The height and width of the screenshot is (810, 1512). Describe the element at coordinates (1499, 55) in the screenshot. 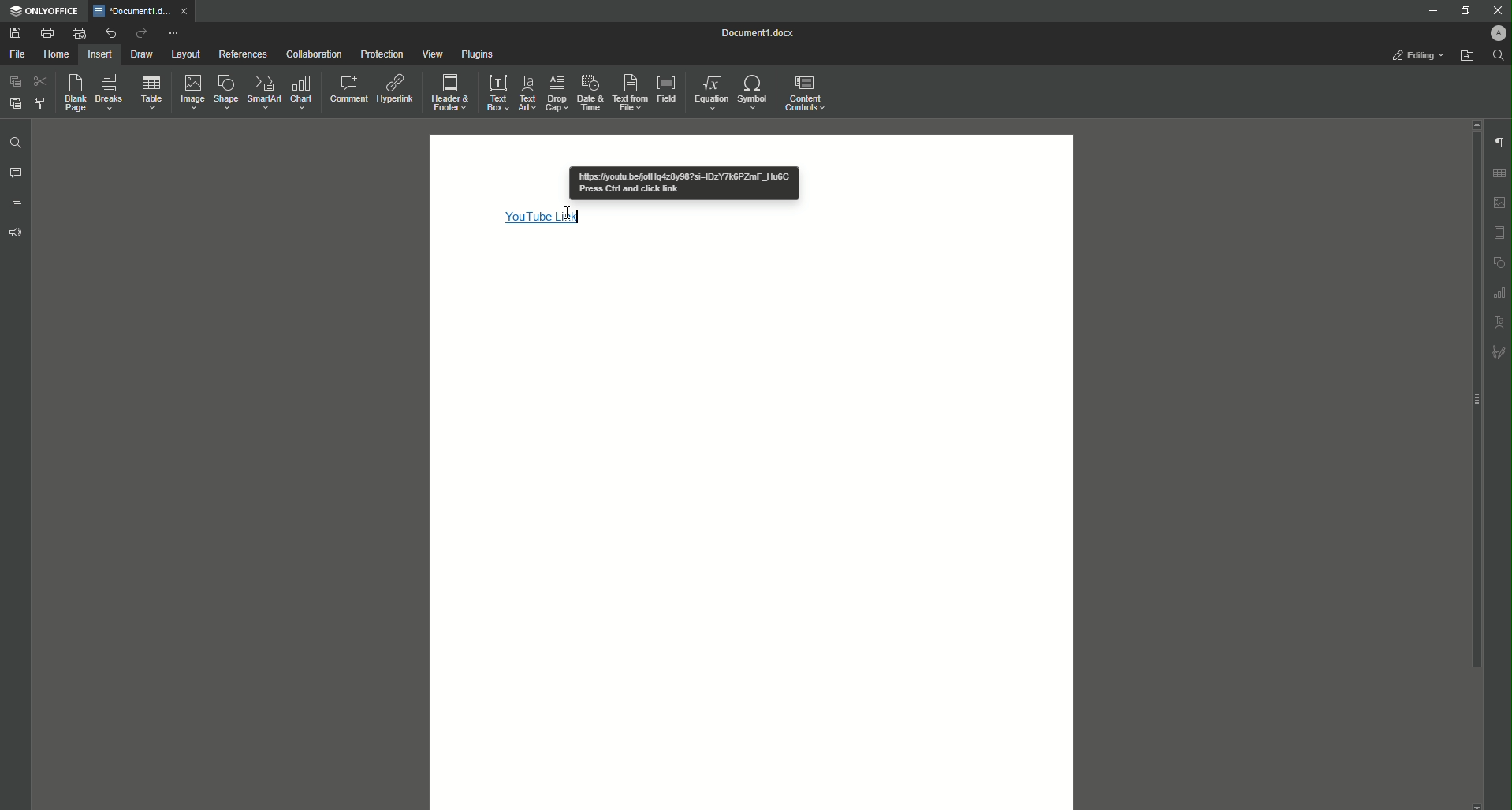

I see `Find` at that location.